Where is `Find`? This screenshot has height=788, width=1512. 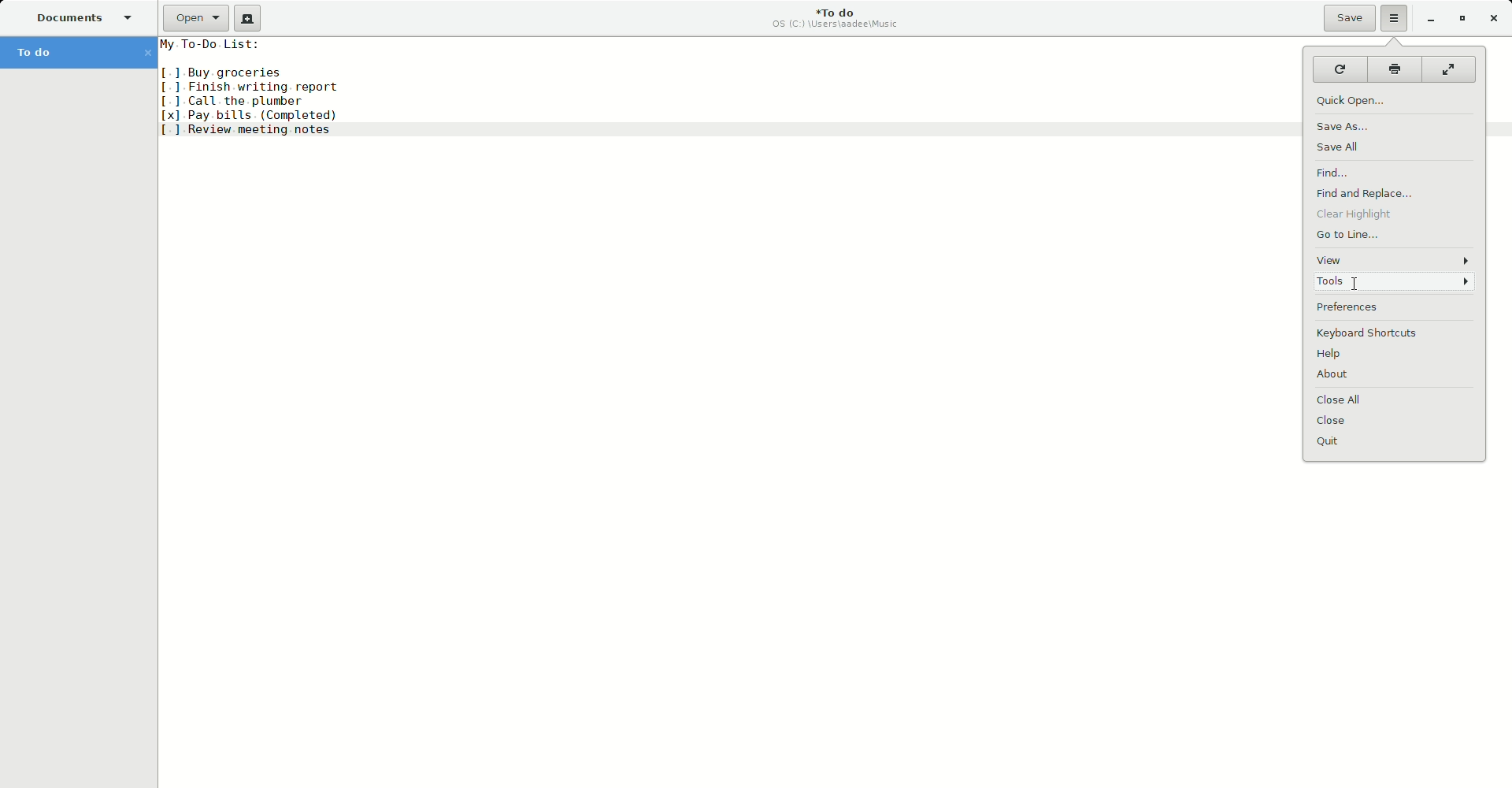
Find is located at coordinates (1332, 172).